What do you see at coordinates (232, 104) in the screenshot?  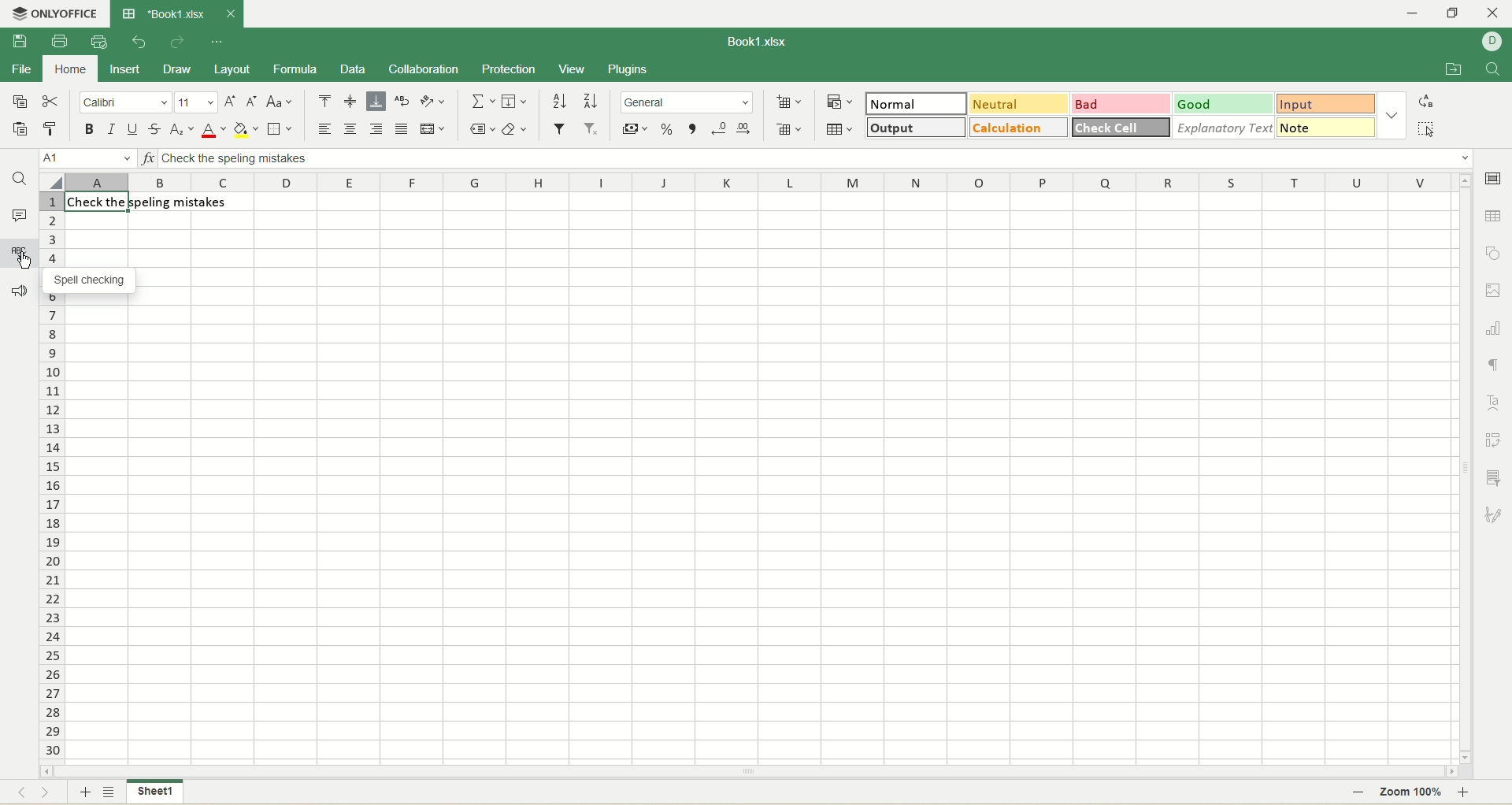 I see `increase size` at bounding box center [232, 104].